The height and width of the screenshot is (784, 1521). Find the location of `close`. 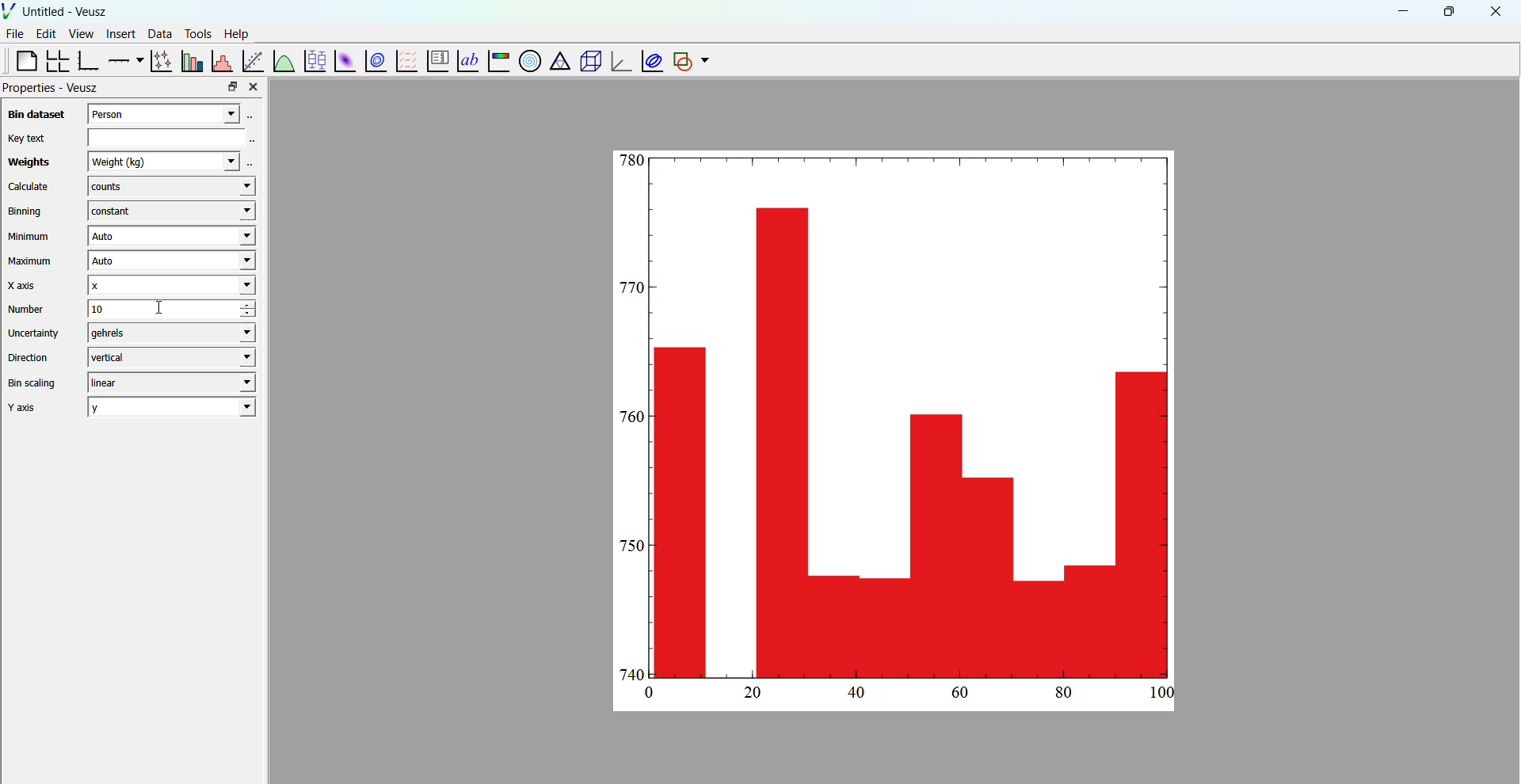

close is located at coordinates (1496, 12).